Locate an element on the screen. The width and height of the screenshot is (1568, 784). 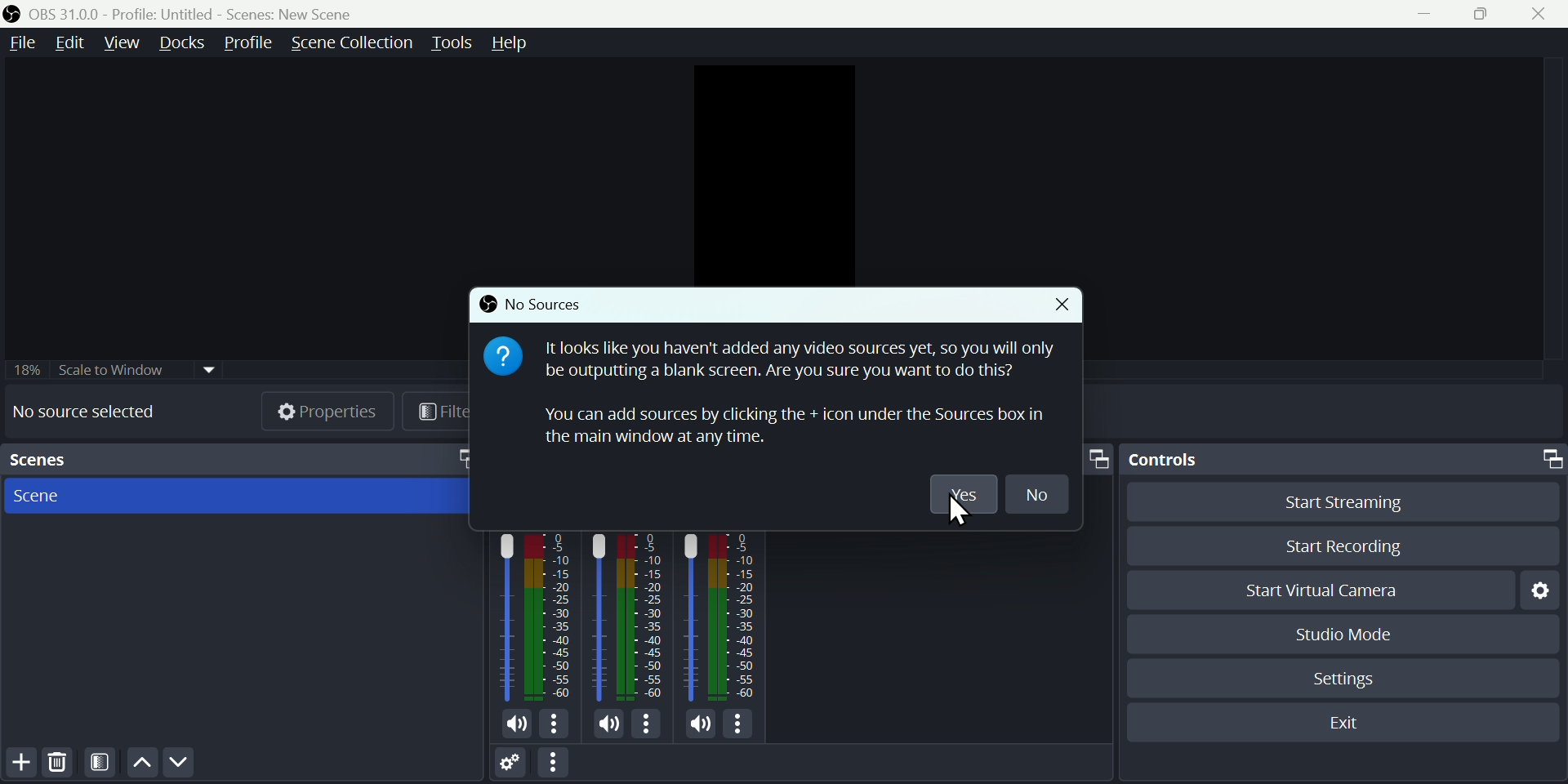
scenes is located at coordinates (229, 461).